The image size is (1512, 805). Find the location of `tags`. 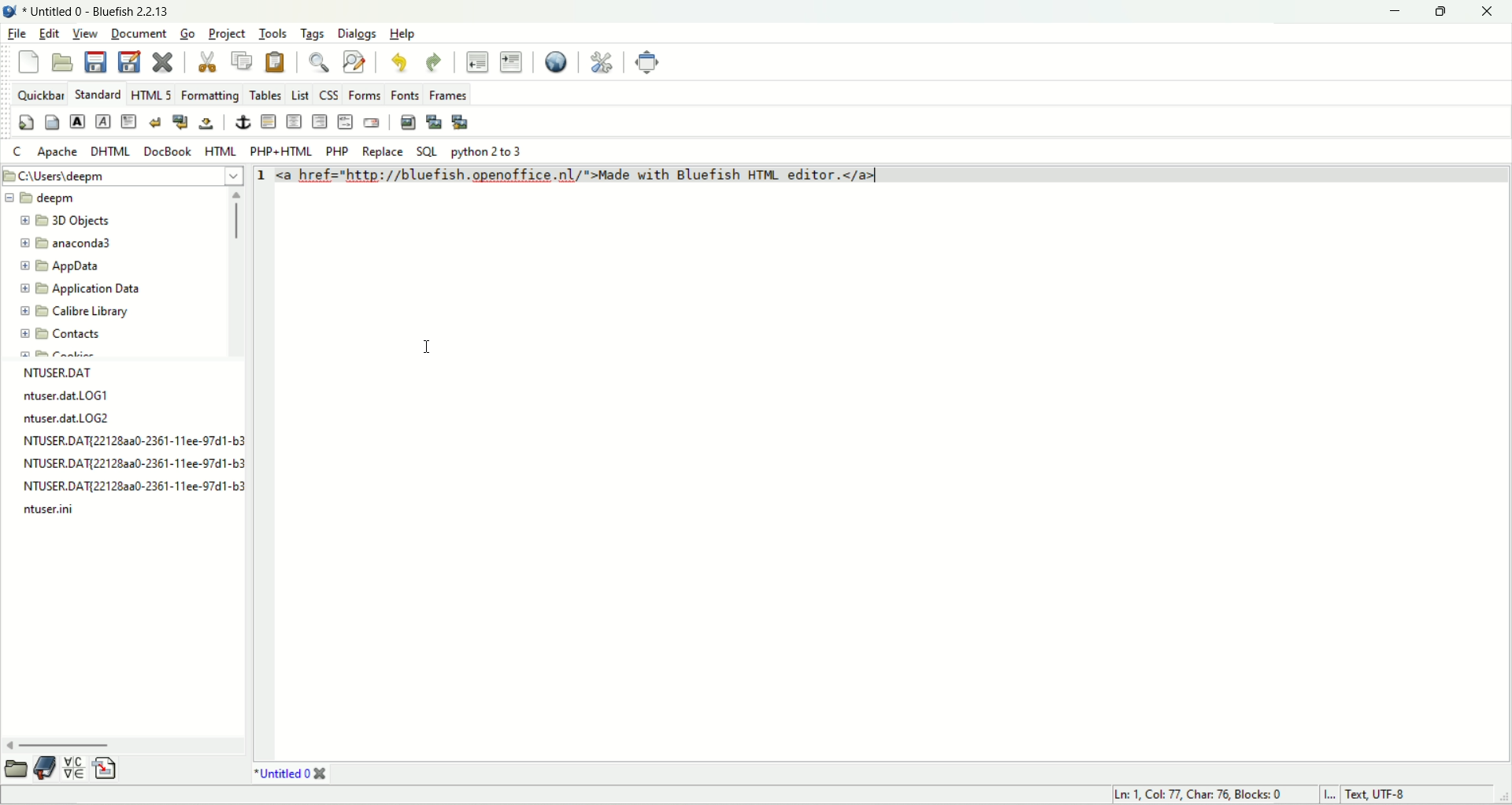

tags is located at coordinates (313, 32).